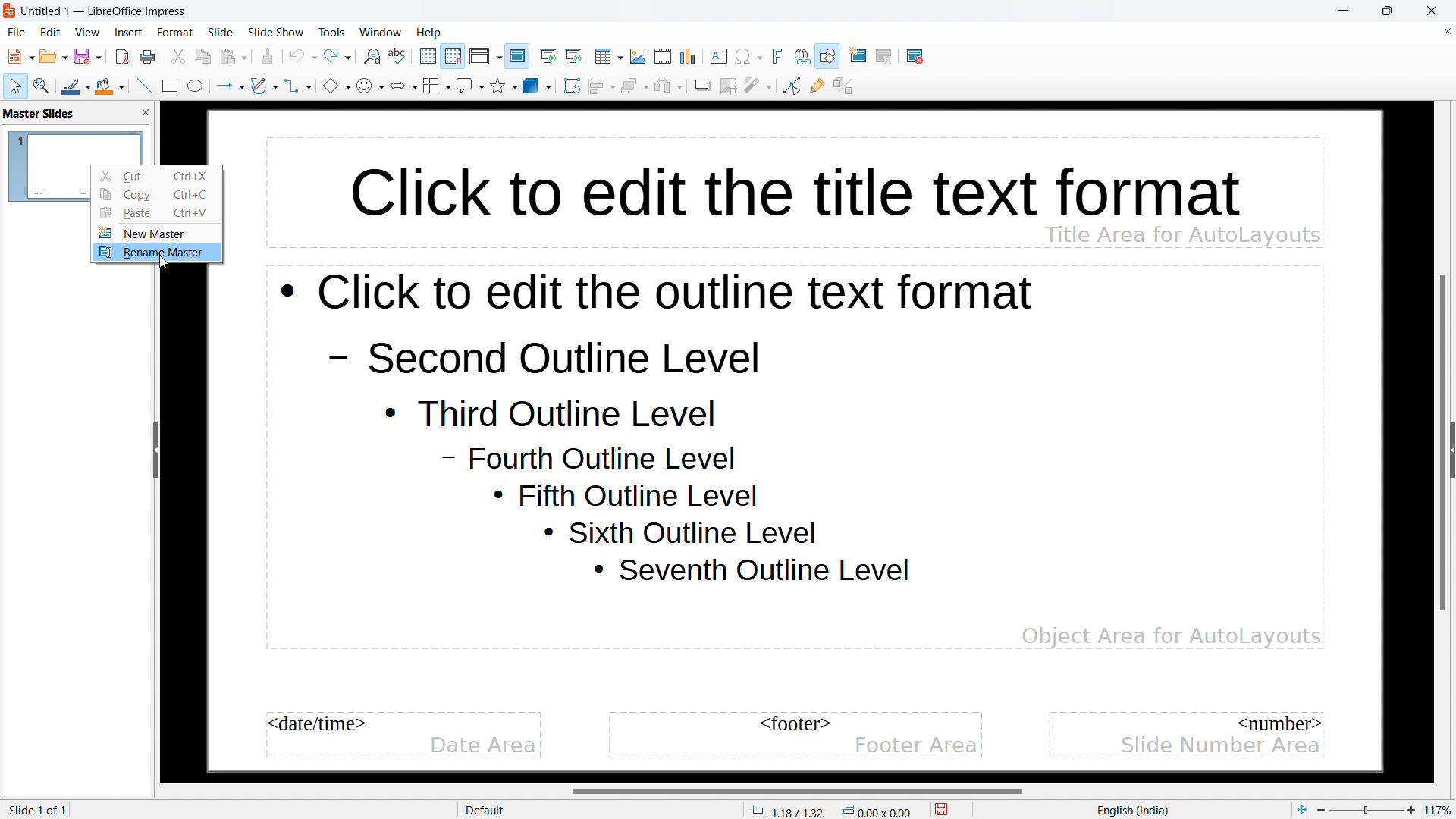  I want to click on slide, so click(220, 32).